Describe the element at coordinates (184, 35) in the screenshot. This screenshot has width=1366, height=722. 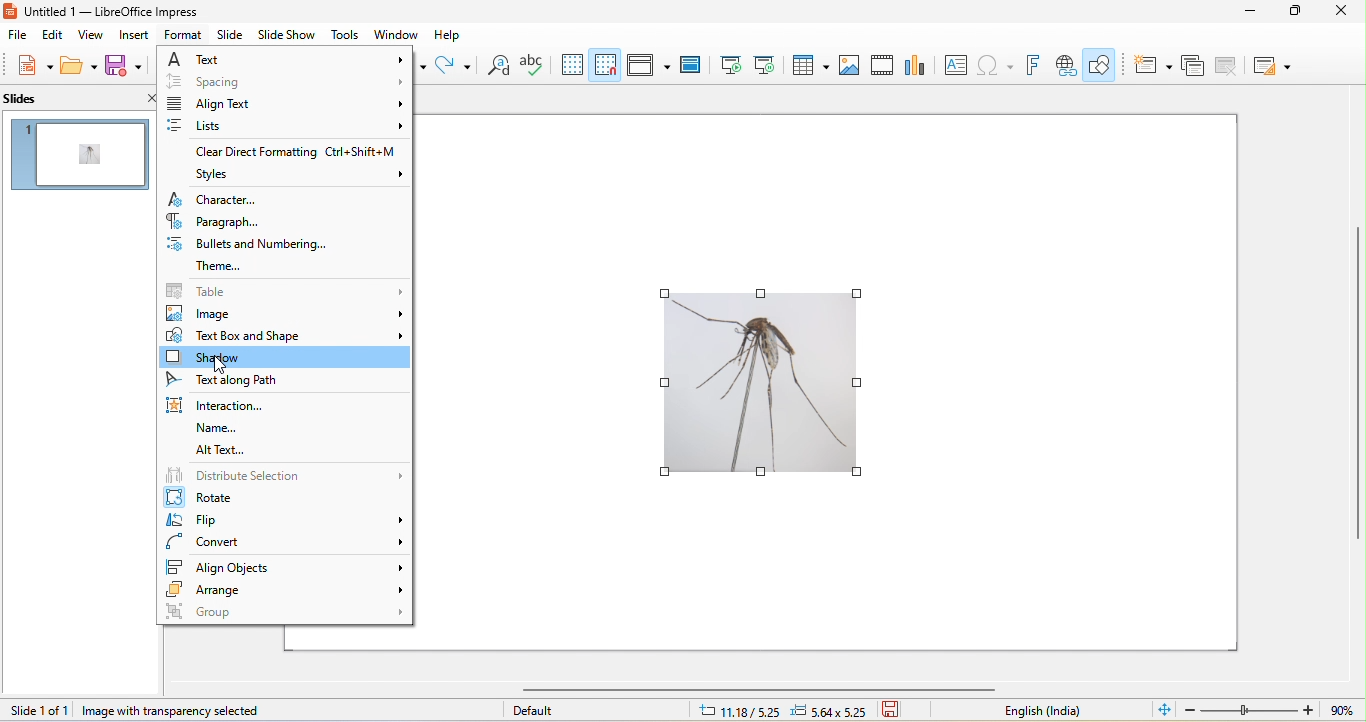
I see `format` at that location.